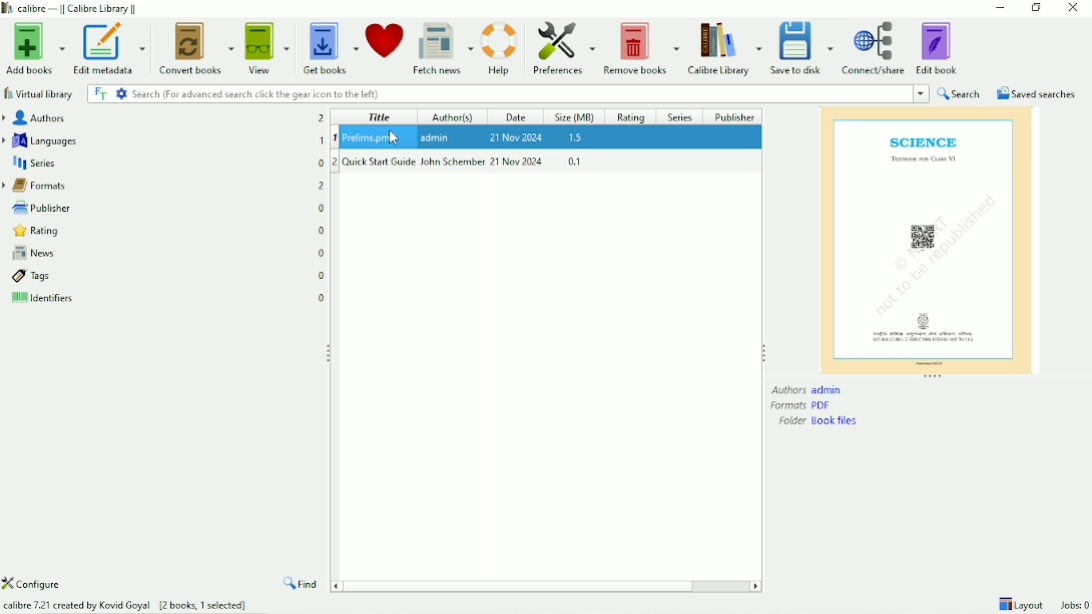  I want to click on Connect/share, so click(875, 49).